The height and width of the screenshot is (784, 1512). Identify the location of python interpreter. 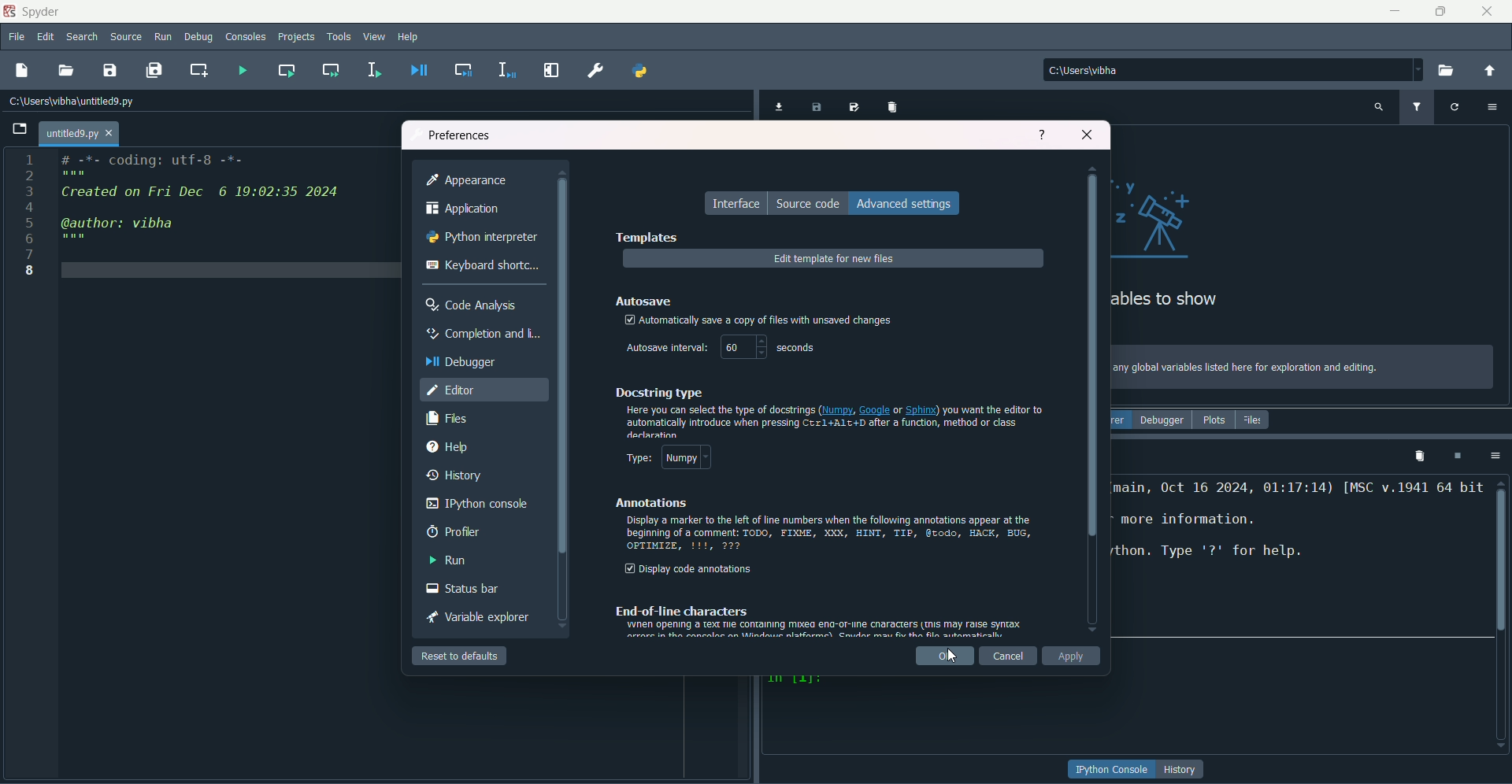
(483, 238).